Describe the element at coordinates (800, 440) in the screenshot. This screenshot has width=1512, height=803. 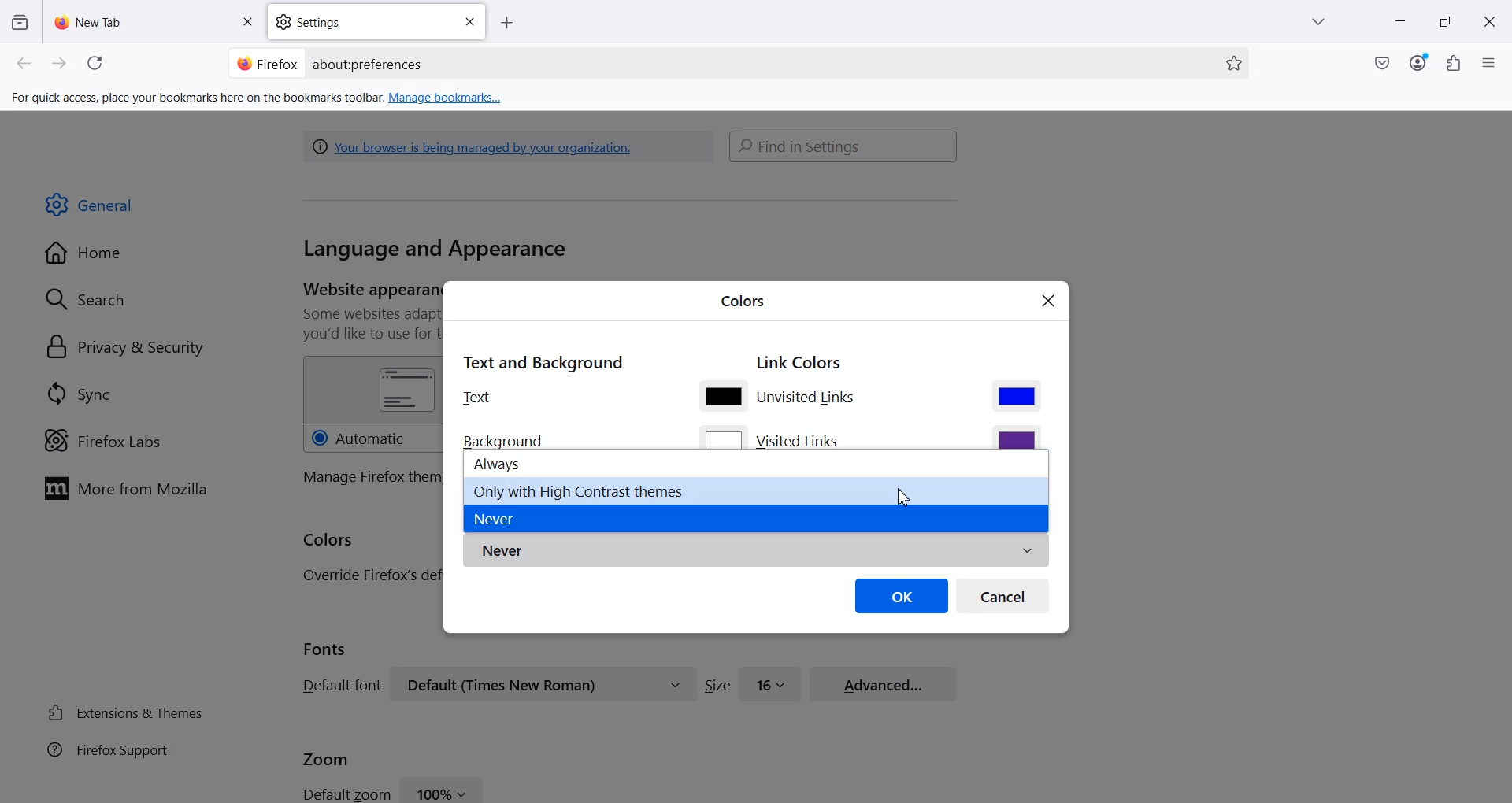
I see `Visited Links` at that location.